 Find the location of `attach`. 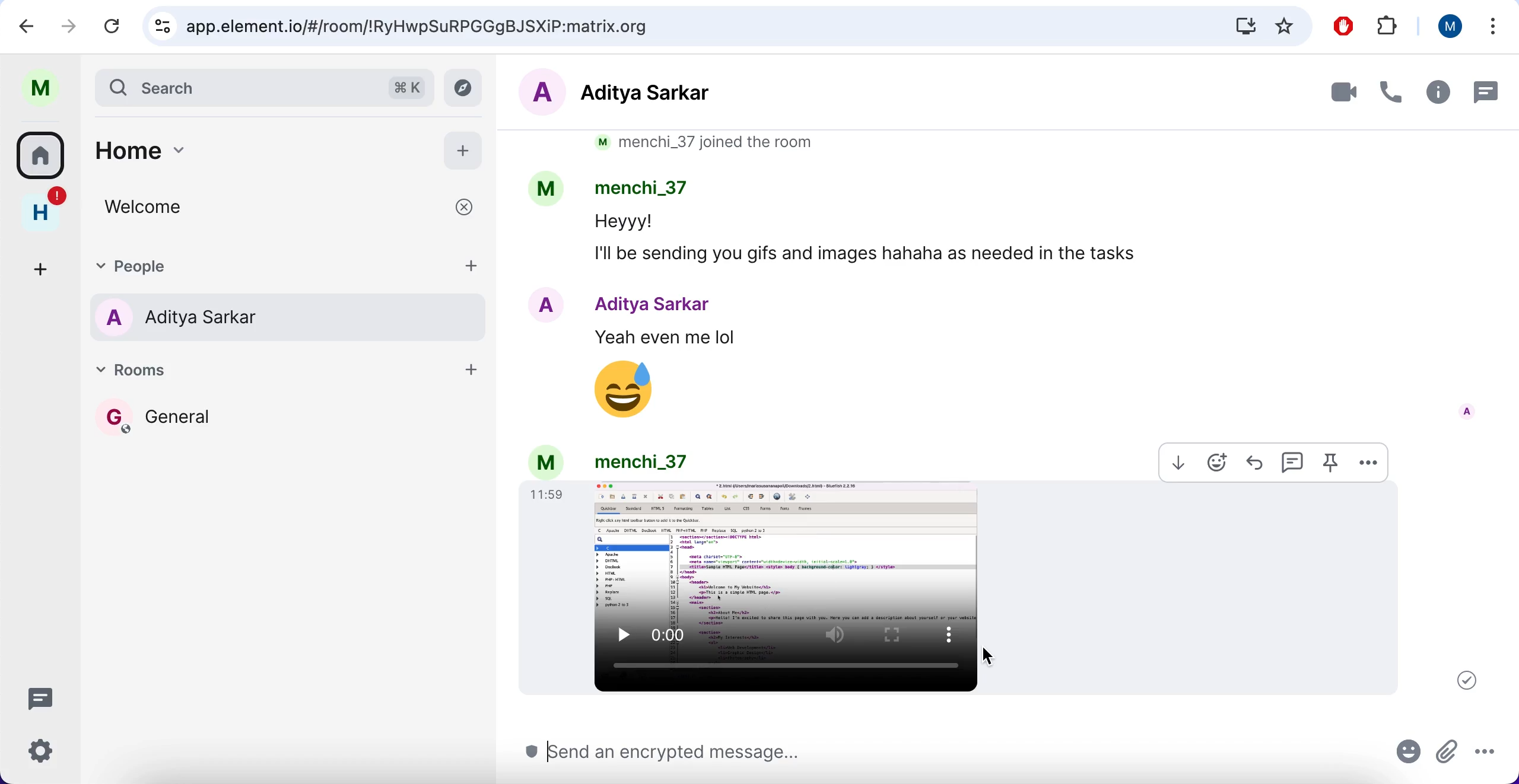

attach is located at coordinates (1447, 754).